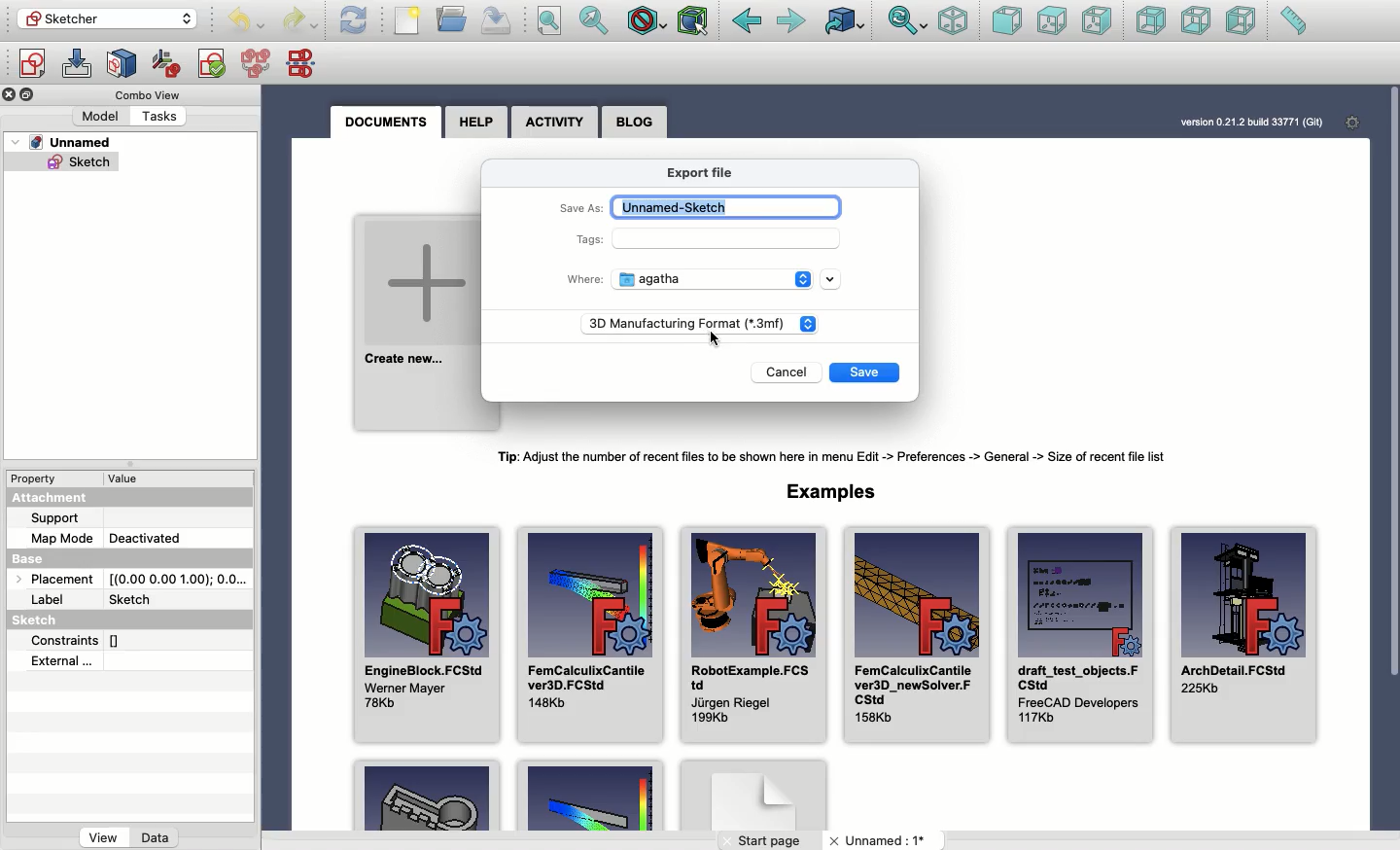  What do you see at coordinates (791, 374) in the screenshot?
I see `Cancel` at bounding box center [791, 374].